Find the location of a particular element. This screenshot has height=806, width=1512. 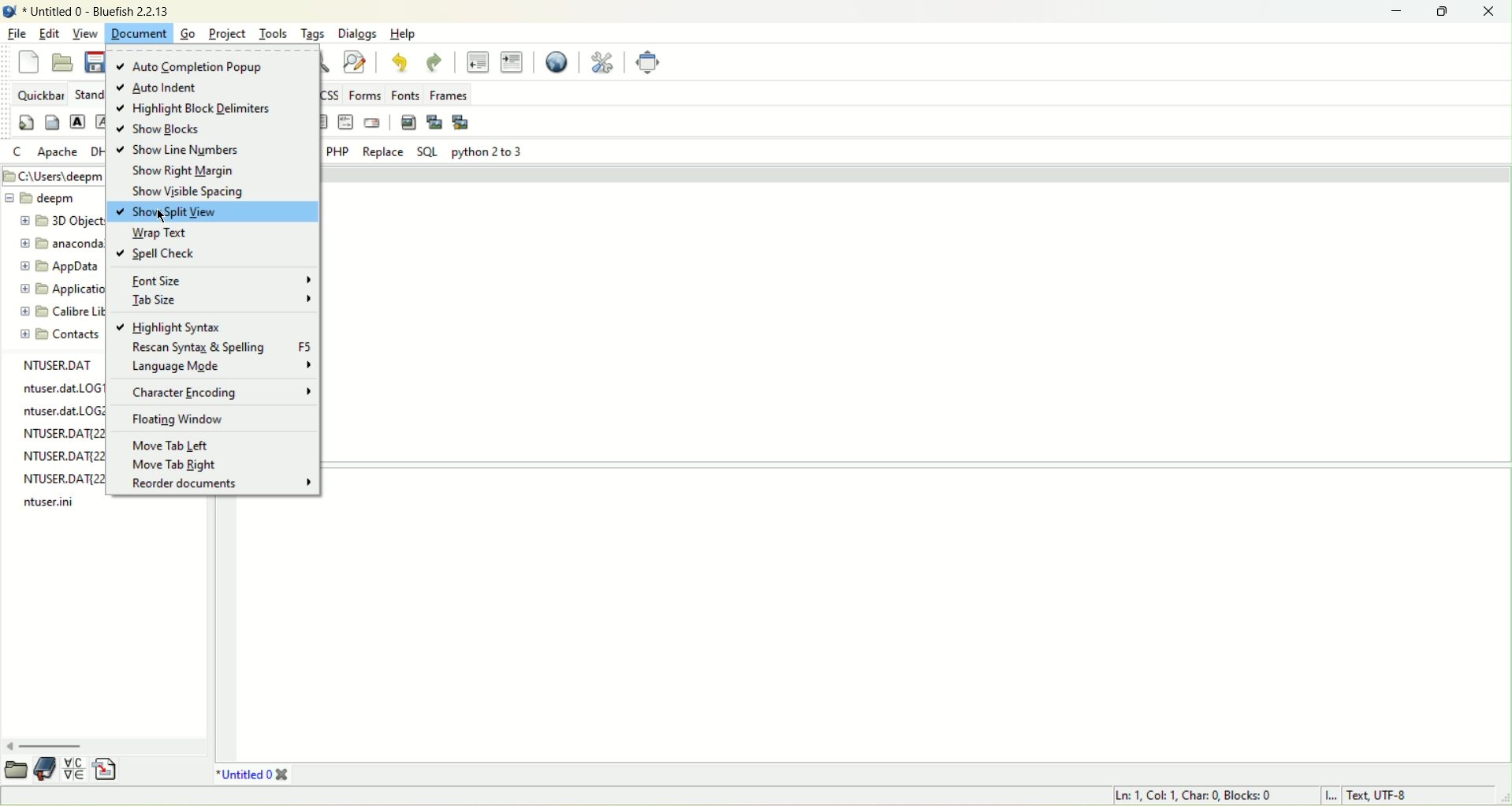

cursor position is located at coordinates (1197, 797).